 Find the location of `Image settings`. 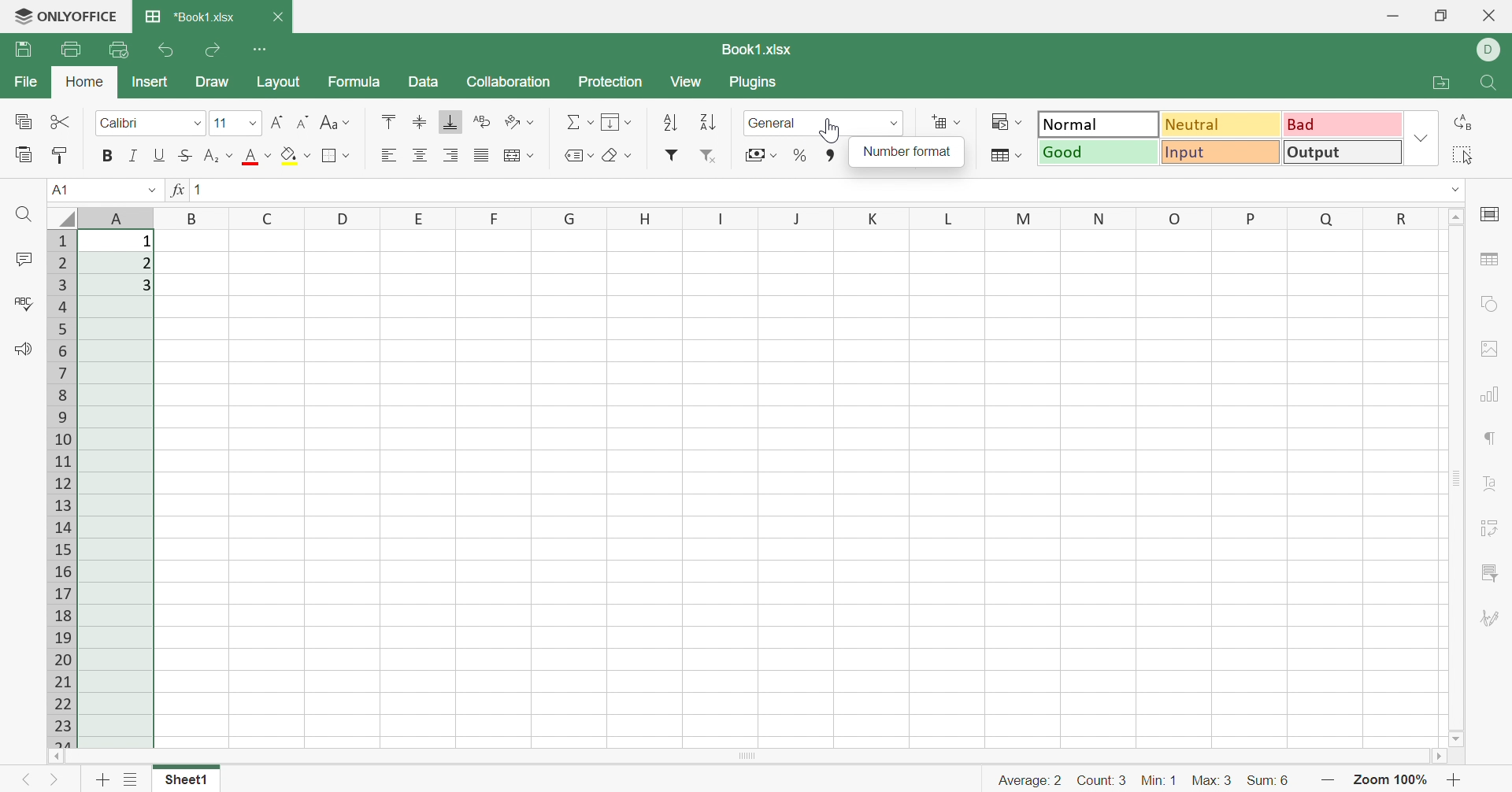

Image settings is located at coordinates (1489, 349).